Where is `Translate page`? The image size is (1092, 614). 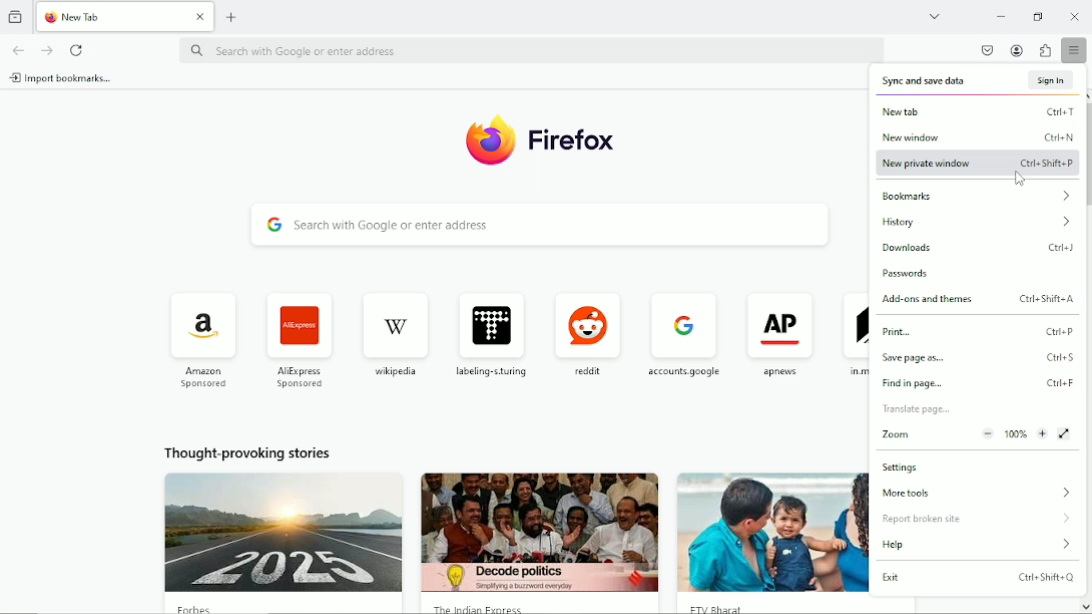 Translate page is located at coordinates (934, 410).